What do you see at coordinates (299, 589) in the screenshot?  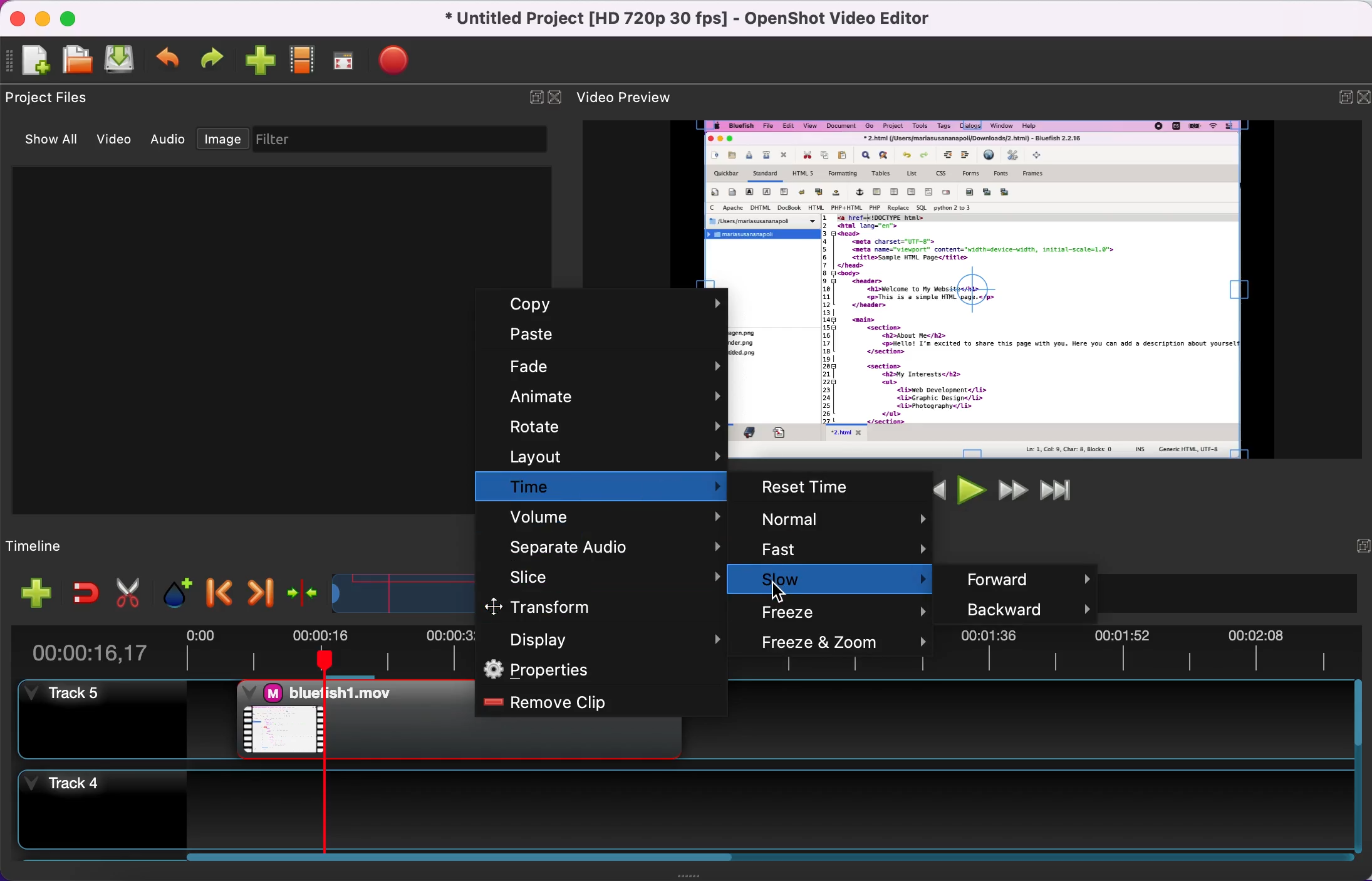 I see `center the timeline` at bounding box center [299, 589].